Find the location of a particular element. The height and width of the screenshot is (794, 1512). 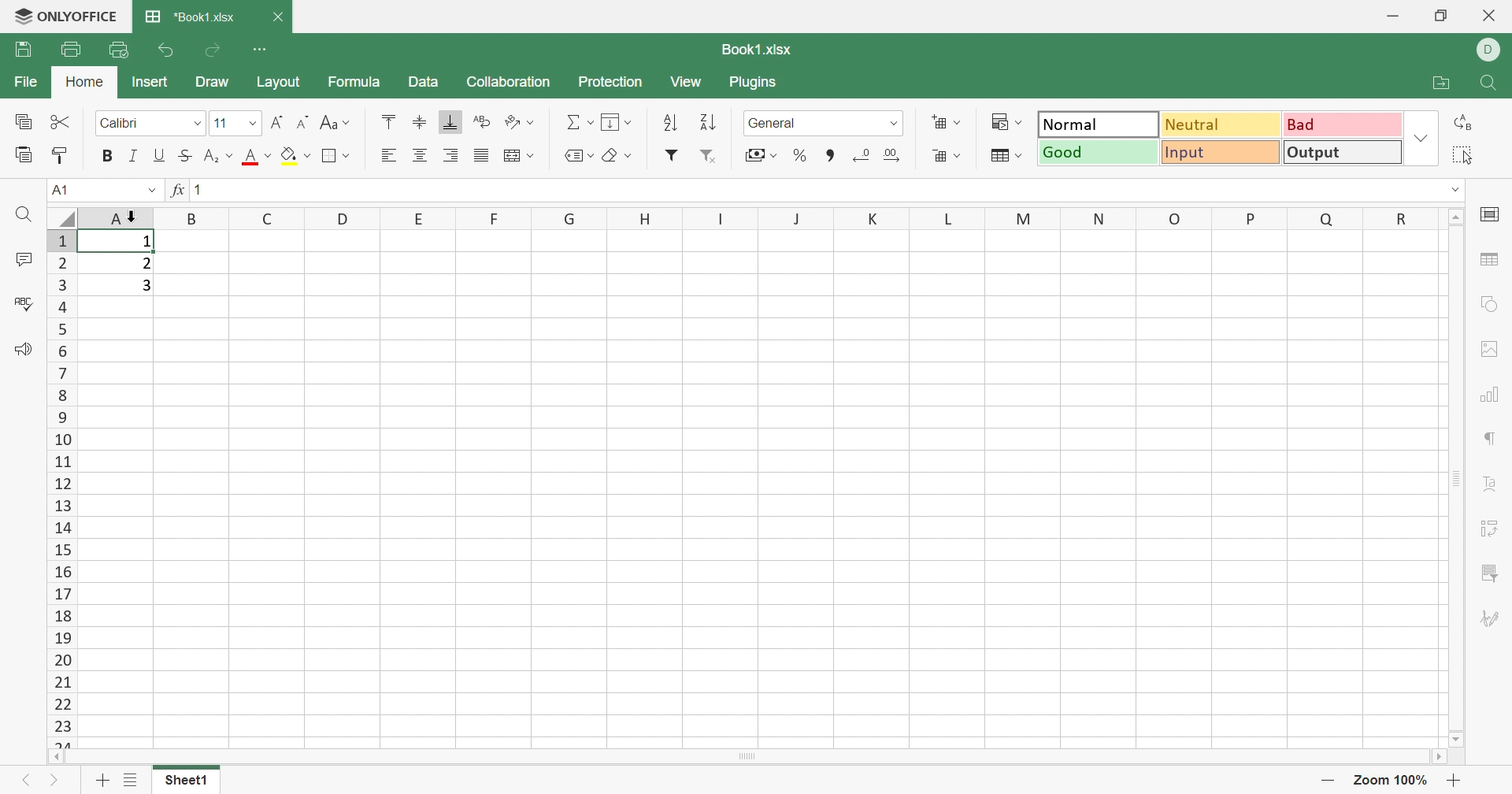

Scroll bar is located at coordinates (1456, 478).